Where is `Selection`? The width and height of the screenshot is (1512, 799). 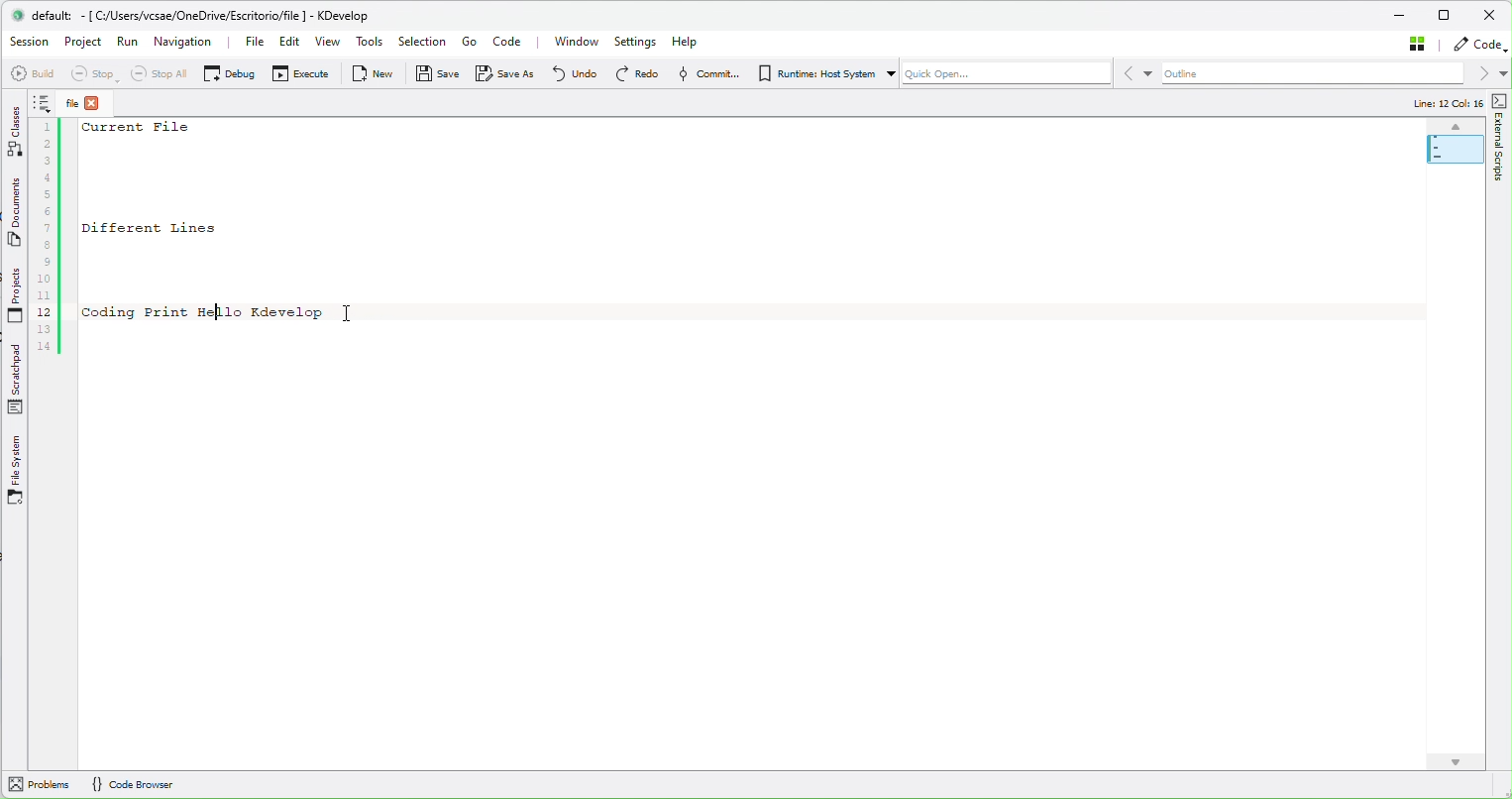 Selection is located at coordinates (423, 41).